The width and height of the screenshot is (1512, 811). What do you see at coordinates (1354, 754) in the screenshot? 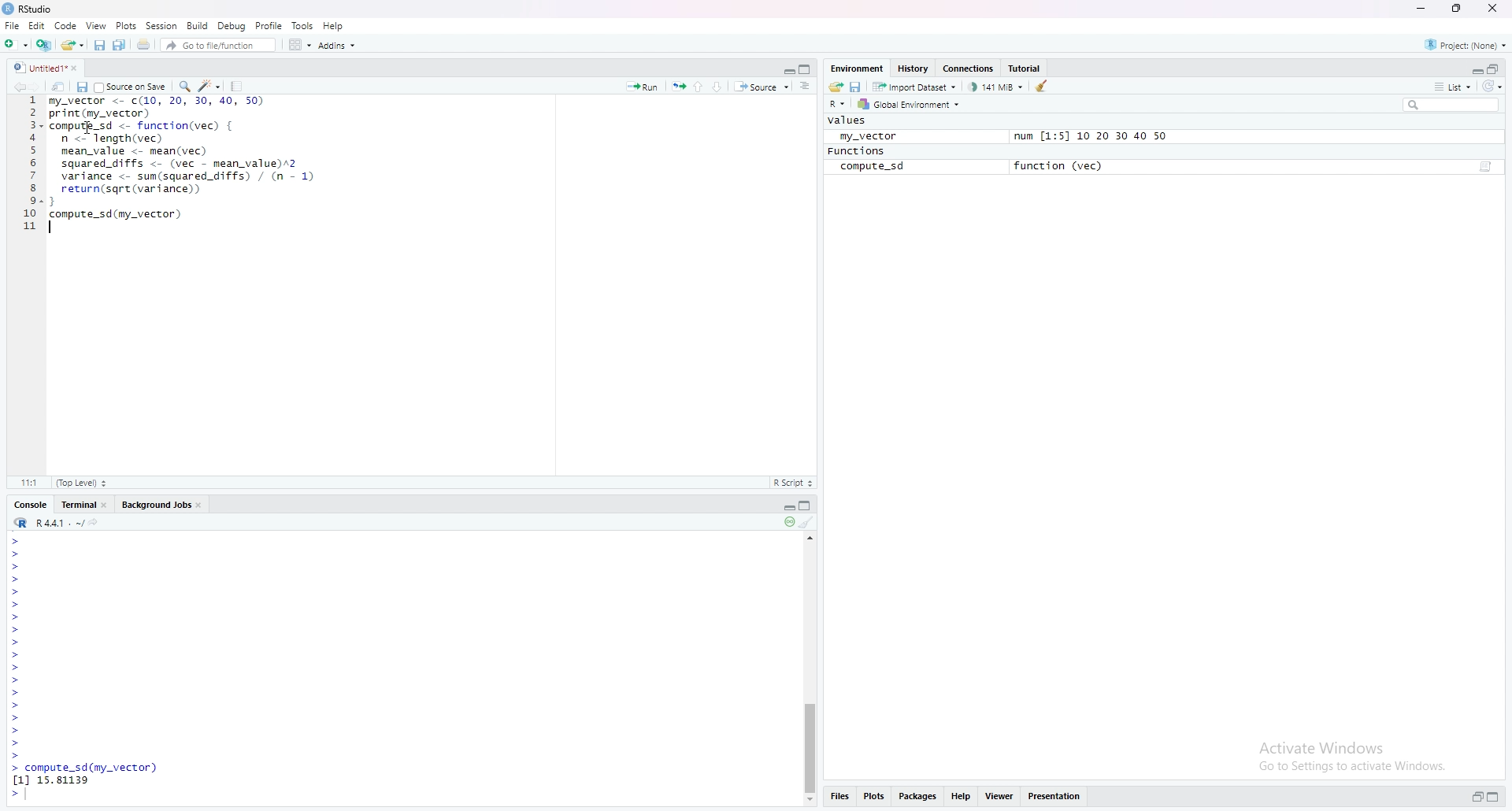
I see `Activate Windows
Go to Settings to activate Windows.` at bounding box center [1354, 754].